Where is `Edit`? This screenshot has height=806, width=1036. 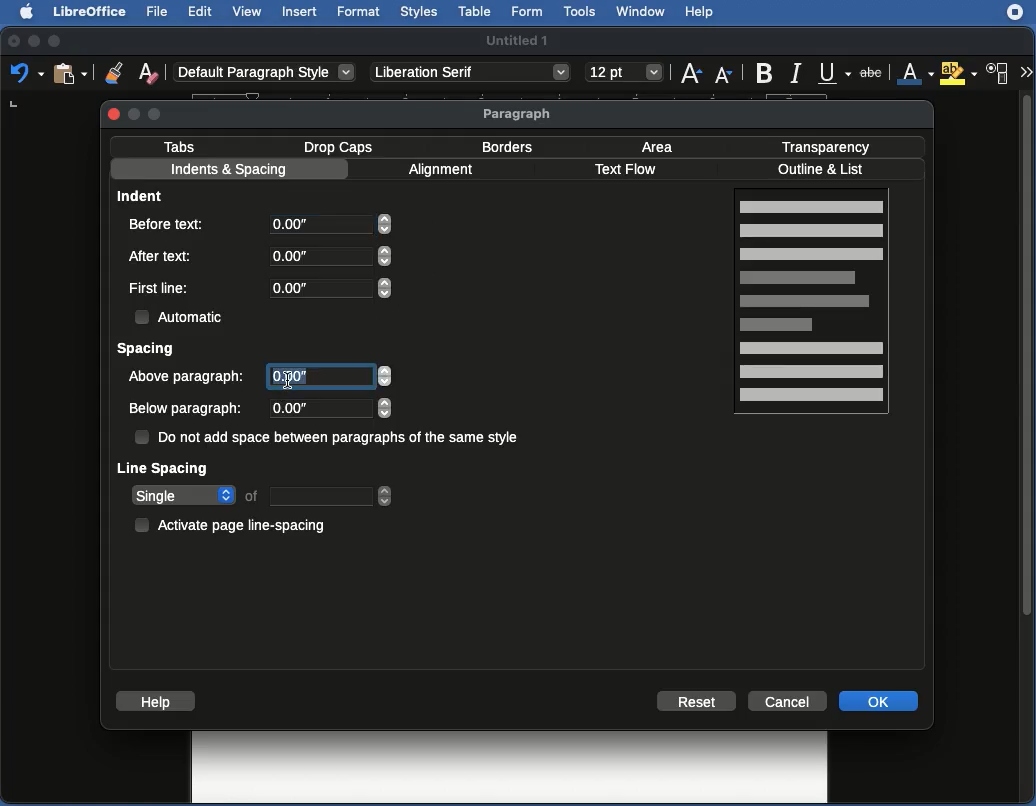 Edit is located at coordinates (201, 11).